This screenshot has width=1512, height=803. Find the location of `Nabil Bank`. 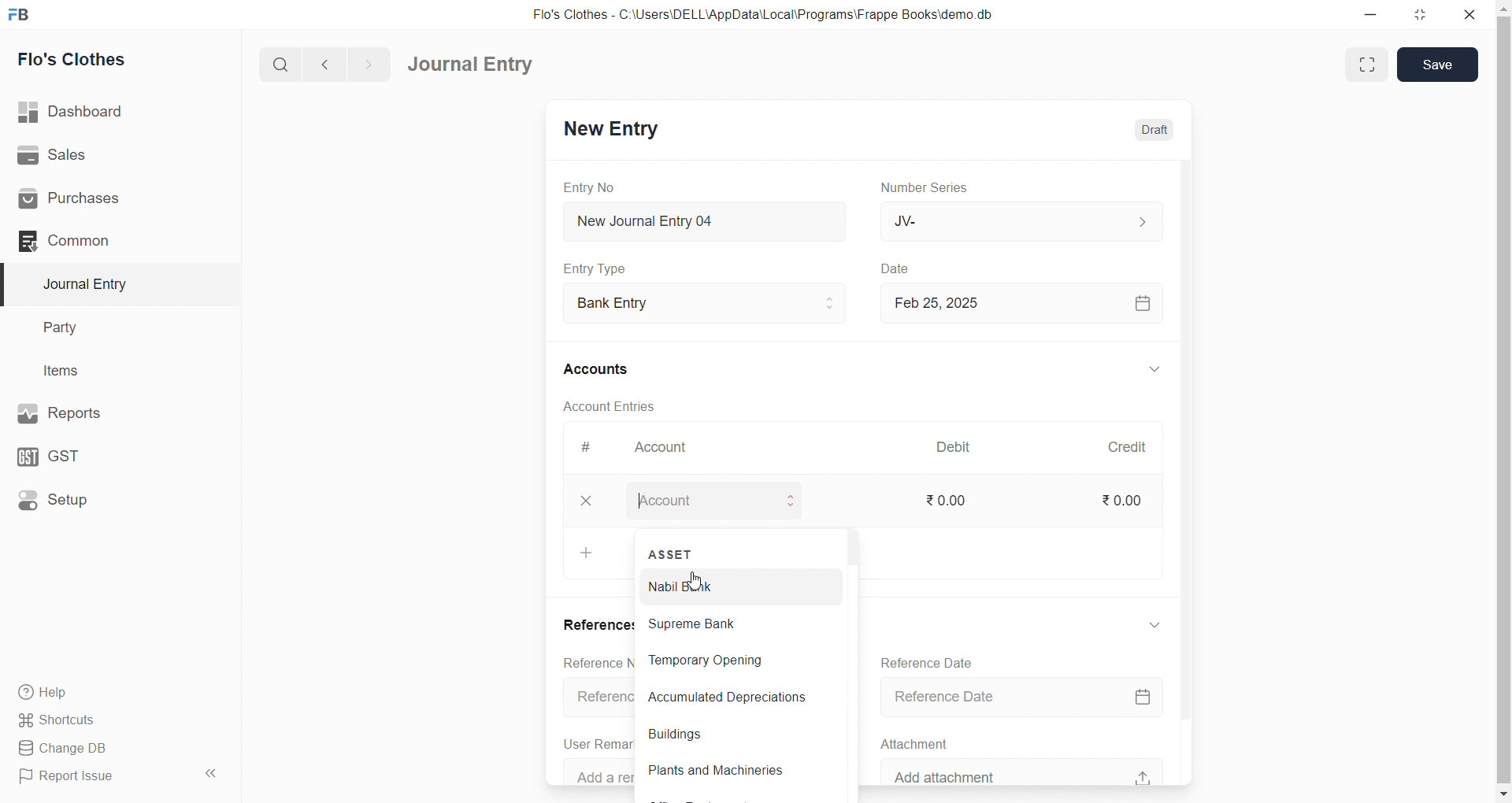

Nabil Bank is located at coordinates (731, 588).